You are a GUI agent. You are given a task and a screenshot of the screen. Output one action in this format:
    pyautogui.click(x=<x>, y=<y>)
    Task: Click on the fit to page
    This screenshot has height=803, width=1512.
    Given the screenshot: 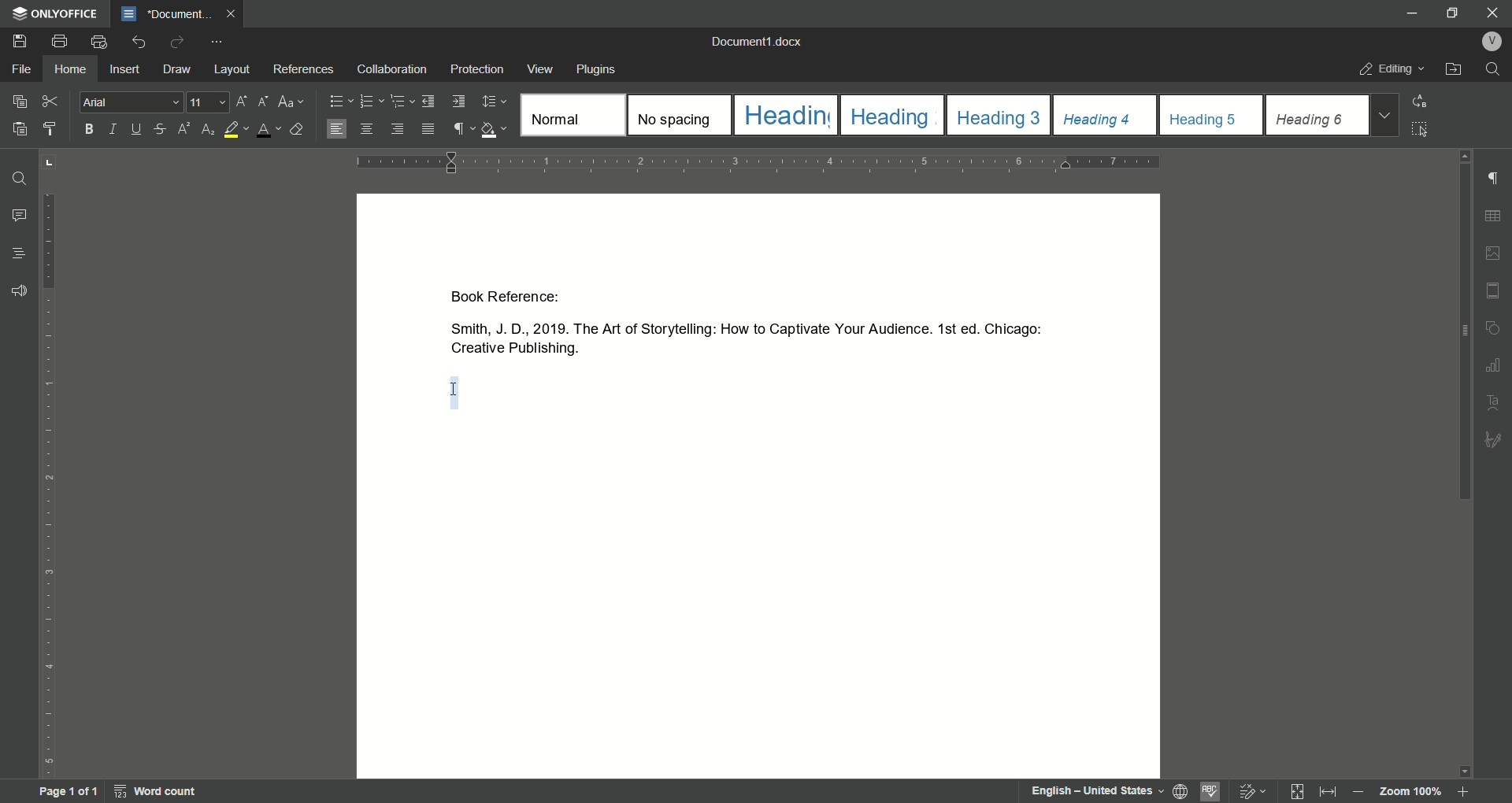 What is the action you would take?
    pyautogui.click(x=1292, y=791)
    